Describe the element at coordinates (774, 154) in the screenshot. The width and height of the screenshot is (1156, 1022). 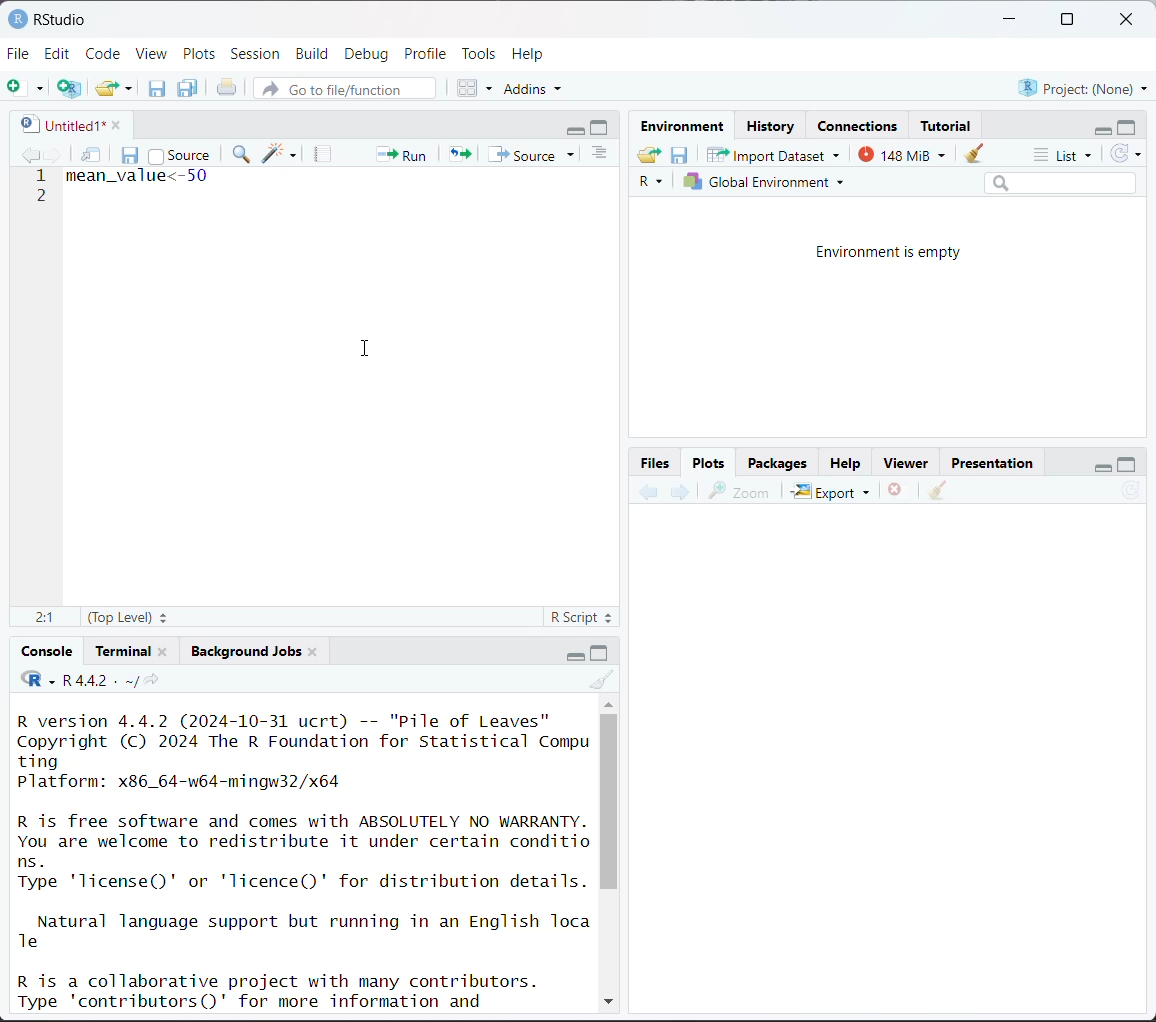
I see `Import Dataset` at that location.